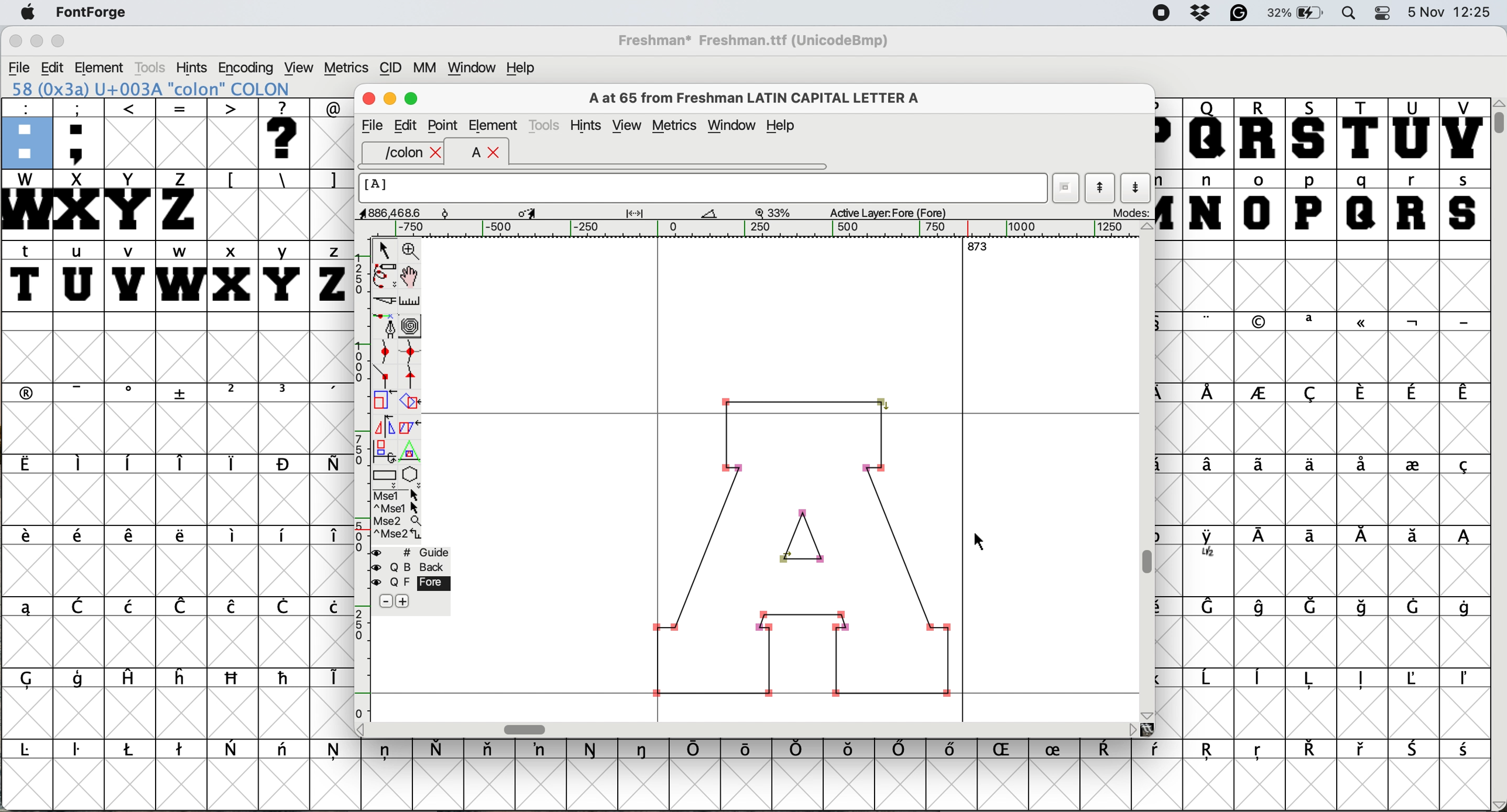 Image resolution: width=1507 pixels, height=812 pixels. Describe the element at coordinates (1312, 133) in the screenshot. I see `S` at that location.